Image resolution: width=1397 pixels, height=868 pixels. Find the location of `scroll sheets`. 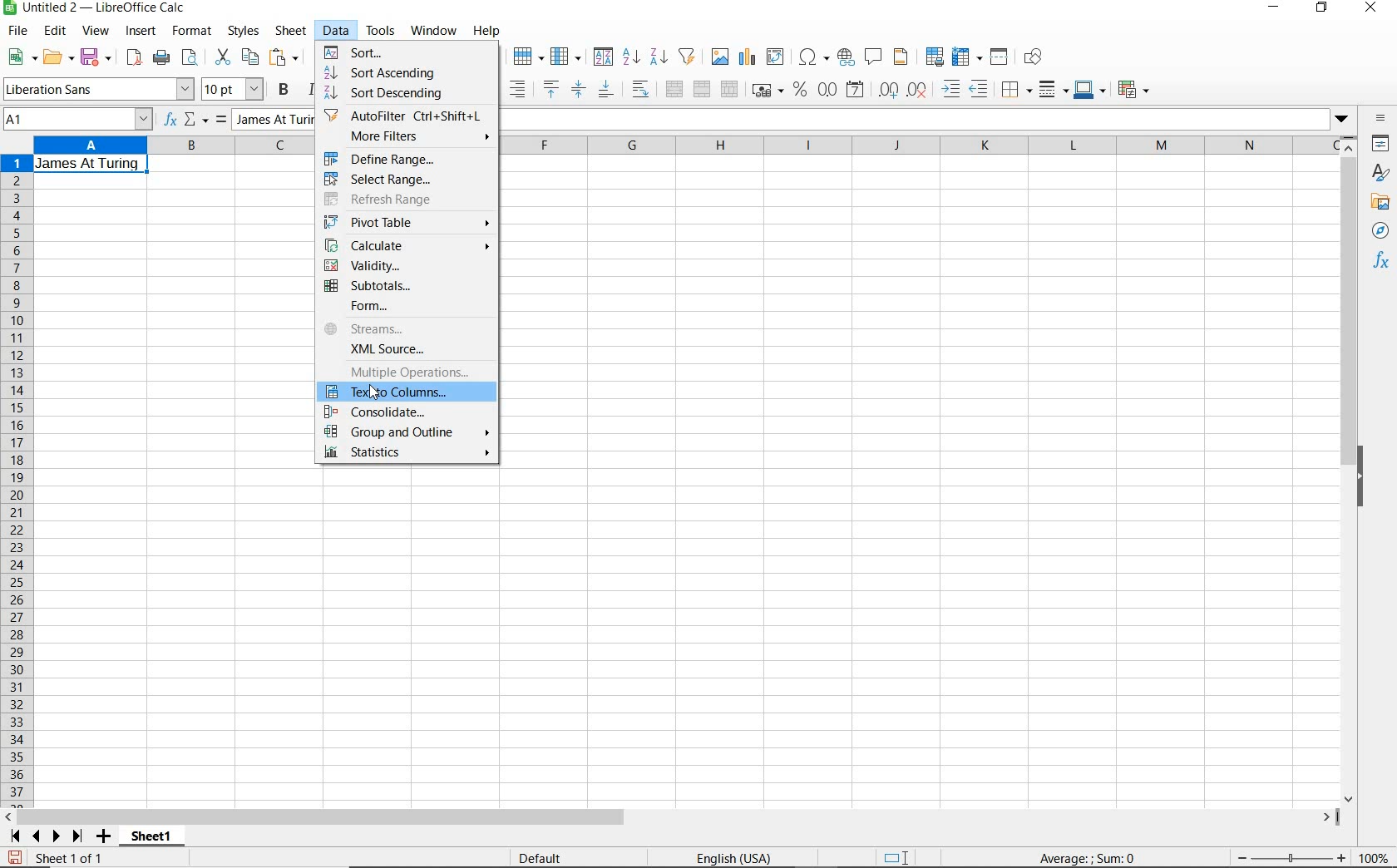

scroll sheets is located at coordinates (43, 836).